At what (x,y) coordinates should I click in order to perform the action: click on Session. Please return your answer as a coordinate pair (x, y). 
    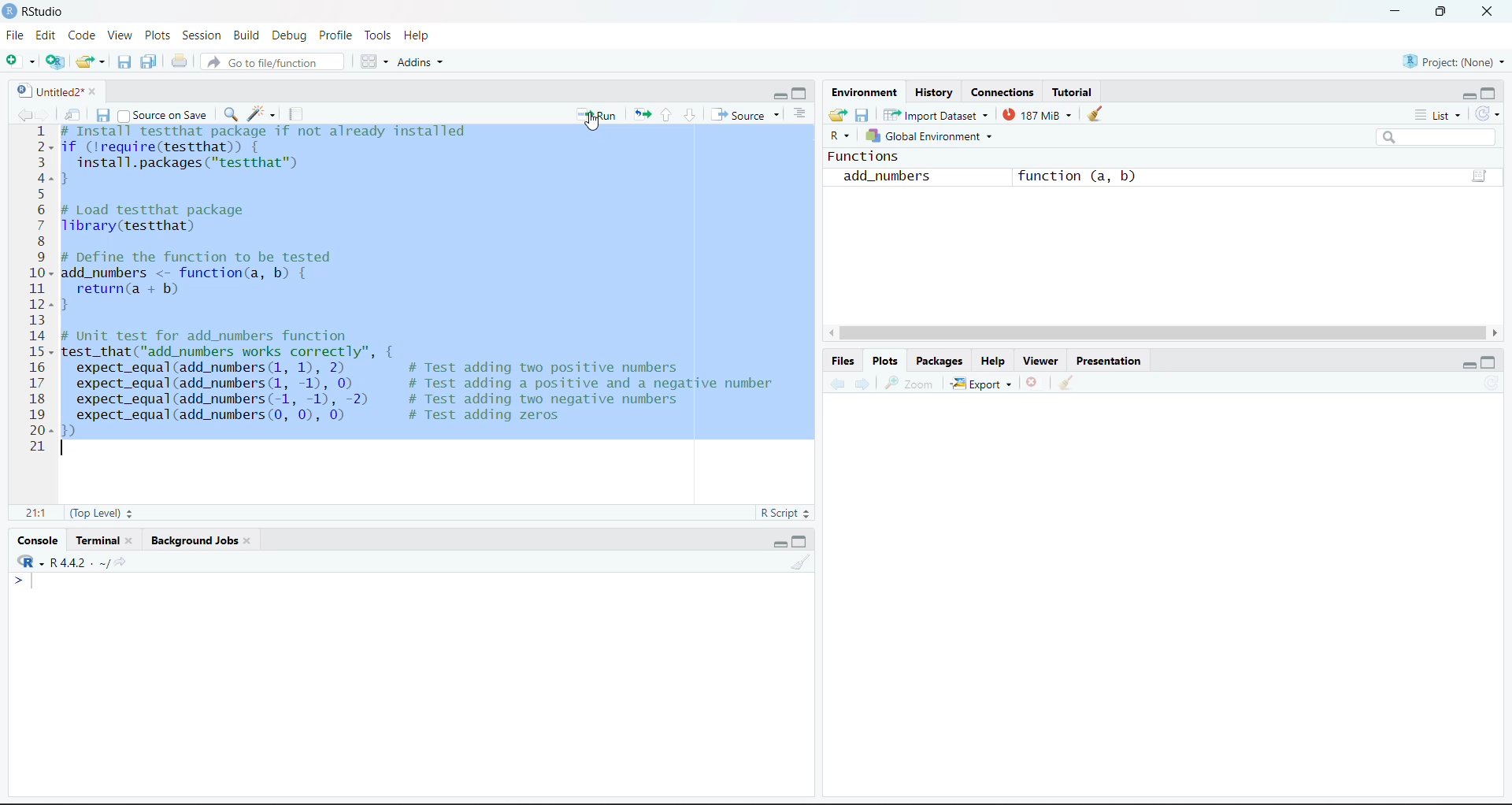
    Looking at the image, I should click on (202, 35).